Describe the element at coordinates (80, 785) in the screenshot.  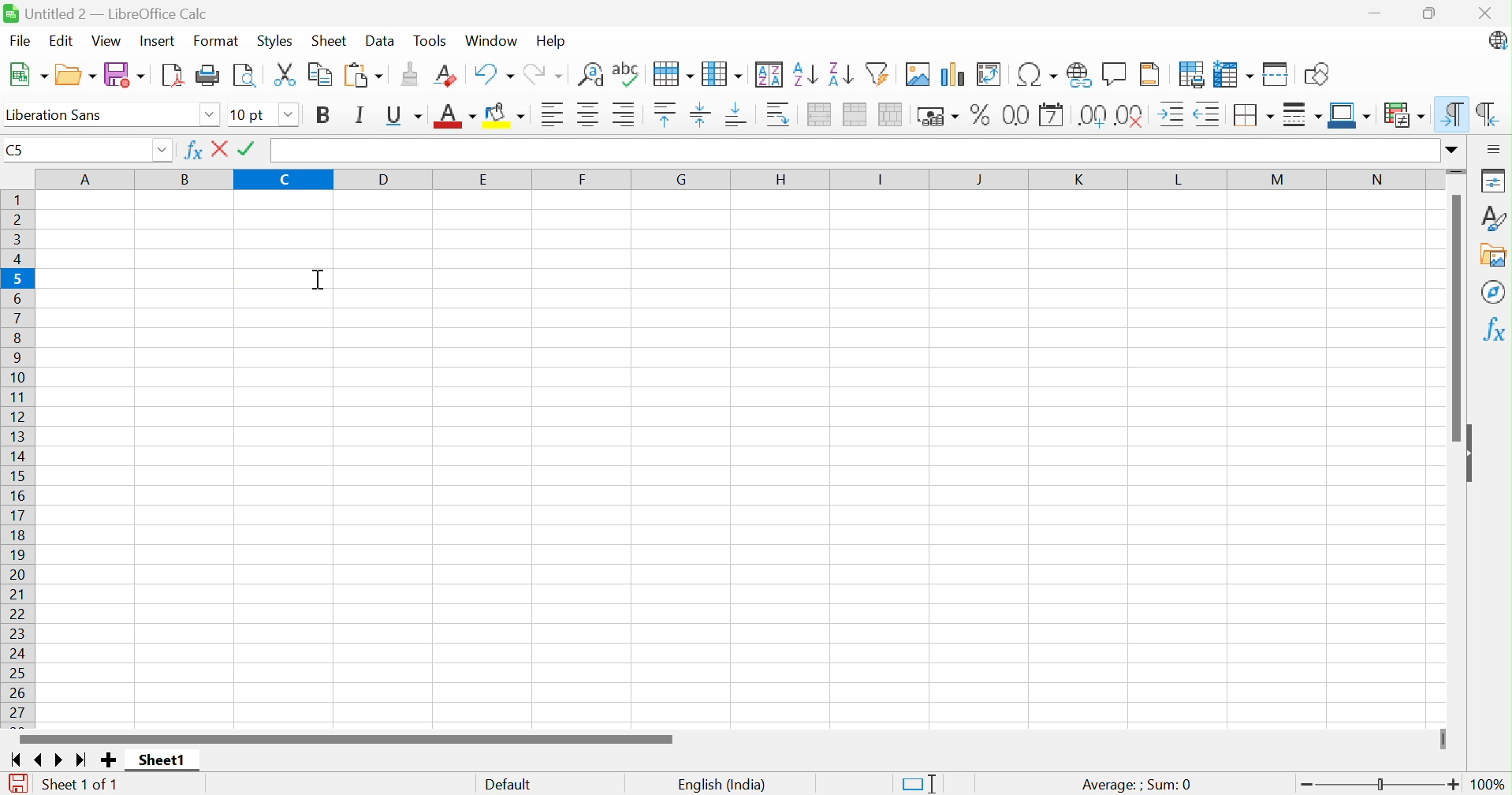
I see `Sheet 1 of 1` at that location.